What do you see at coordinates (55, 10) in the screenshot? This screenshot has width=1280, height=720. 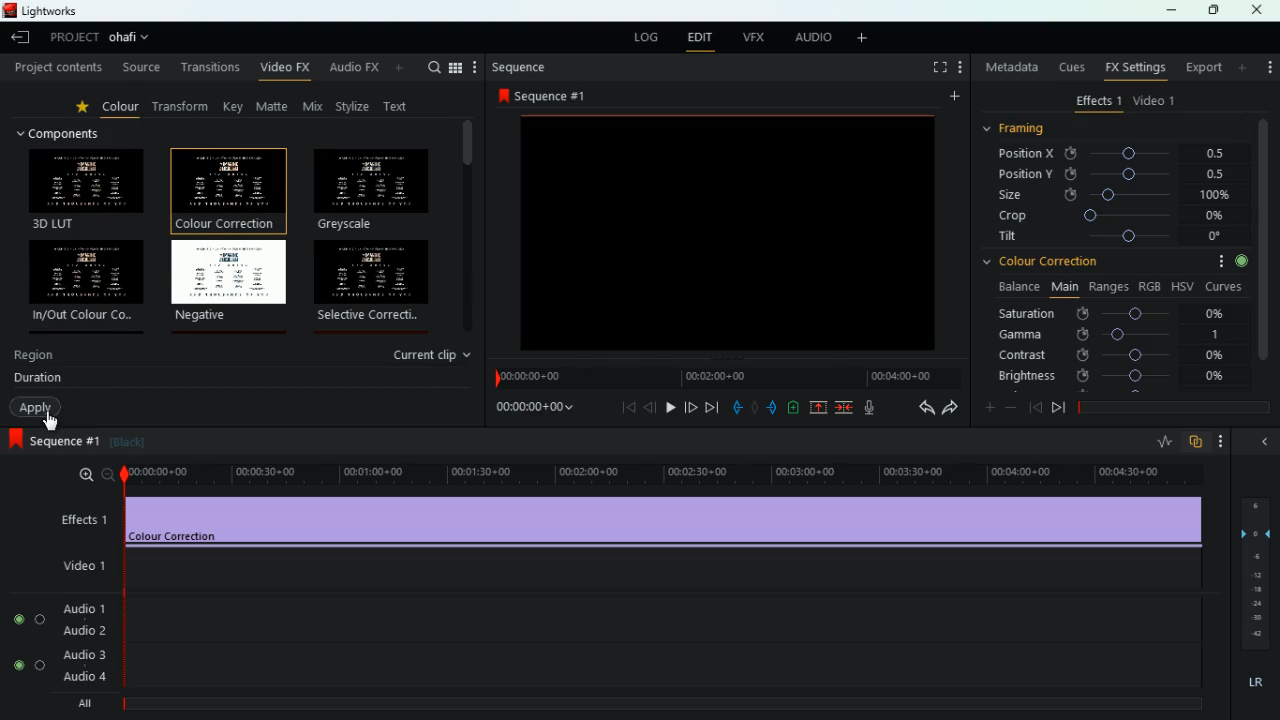 I see `loghtworks` at bounding box center [55, 10].